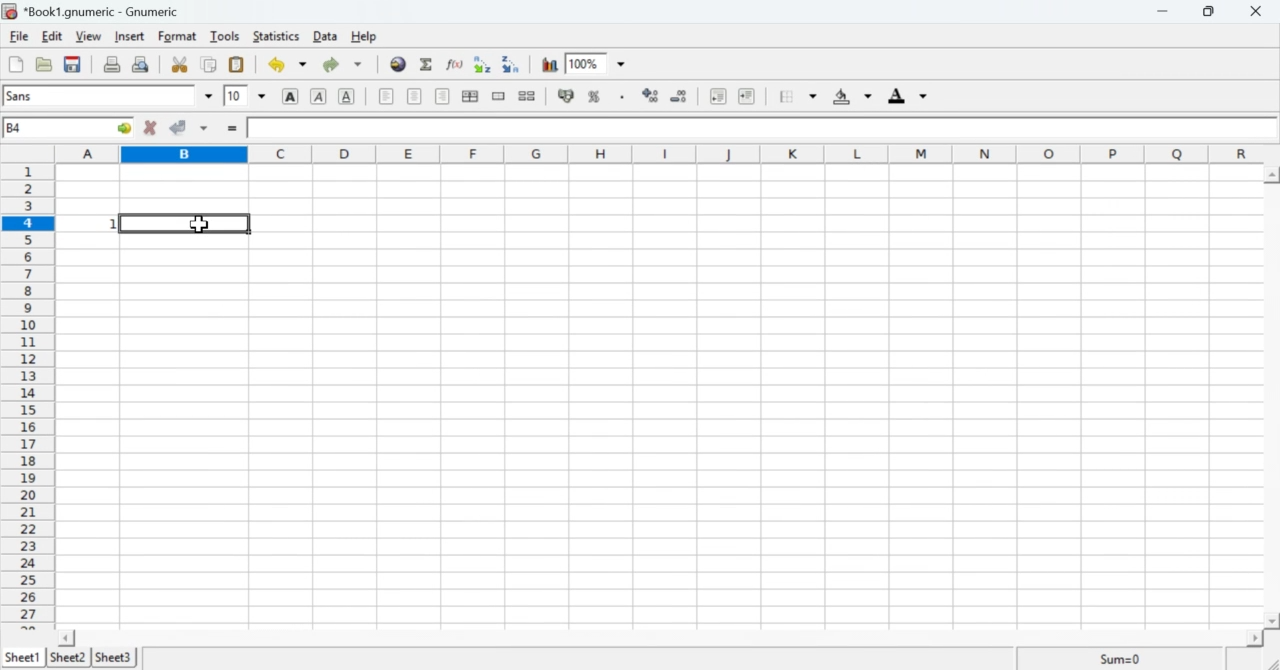 This screenshot has width=1280, height=670. What do you see at coordinates (350, 97) in the screenshot?
I see `Underline` at bounding box center [350, 97].